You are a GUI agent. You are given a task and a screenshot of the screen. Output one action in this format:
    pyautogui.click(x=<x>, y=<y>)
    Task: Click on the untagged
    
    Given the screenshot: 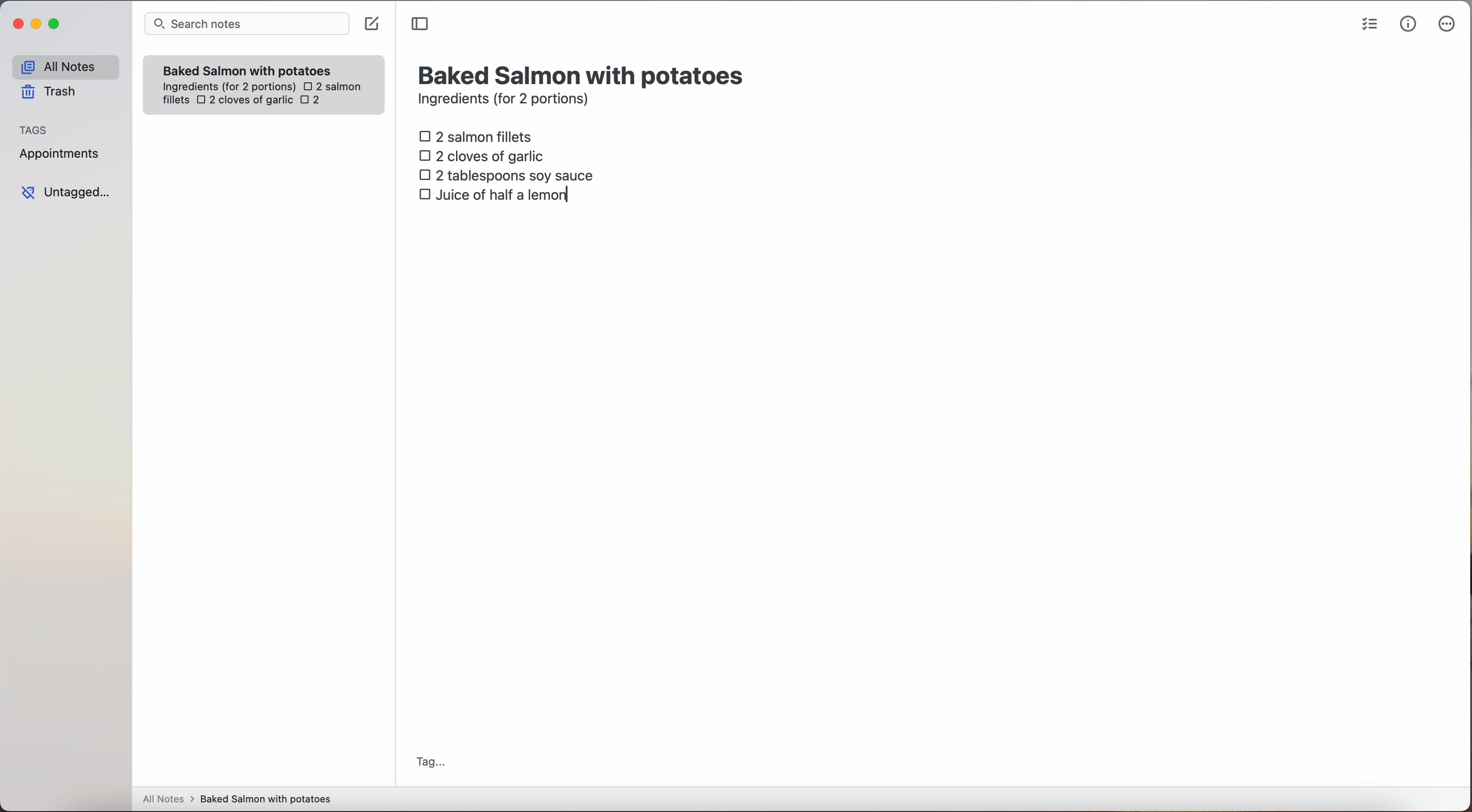 What is the action you would take?
    pyautogui.click(x=67, y=192)
    